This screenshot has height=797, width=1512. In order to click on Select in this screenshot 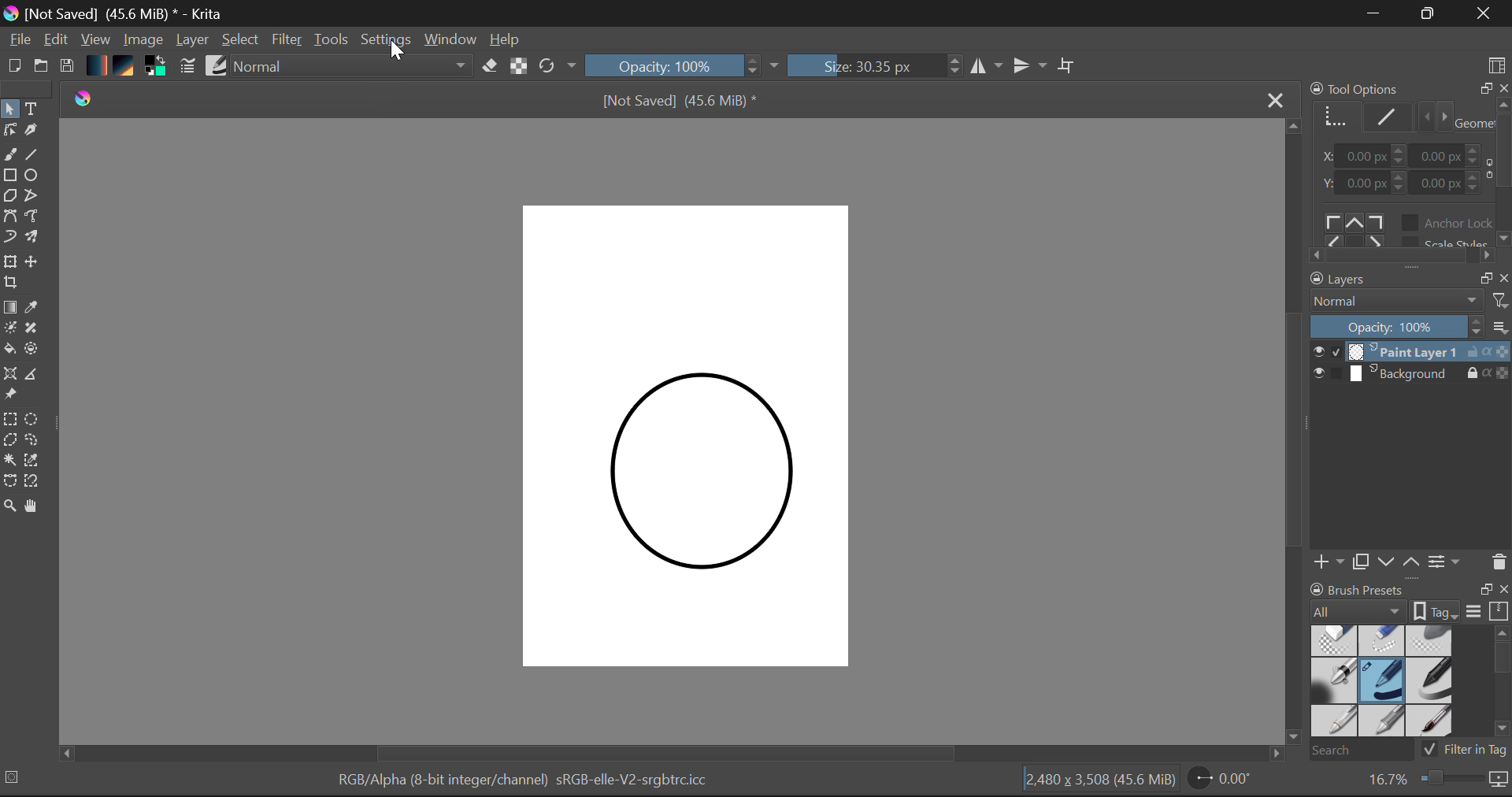, I will do `click(10, 109)`.